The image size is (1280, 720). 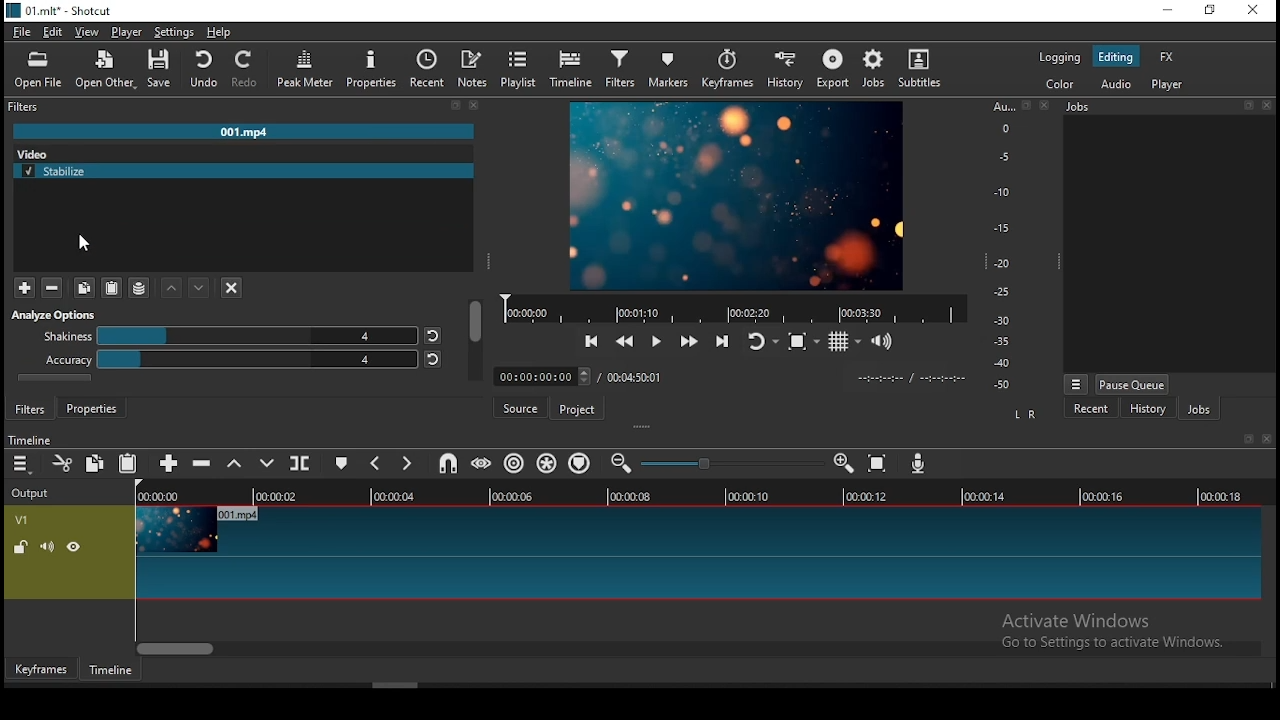 What do you see at coordinates (735, 305) in the screenshot?
I see `timeline` at bounding box center [735, 305].